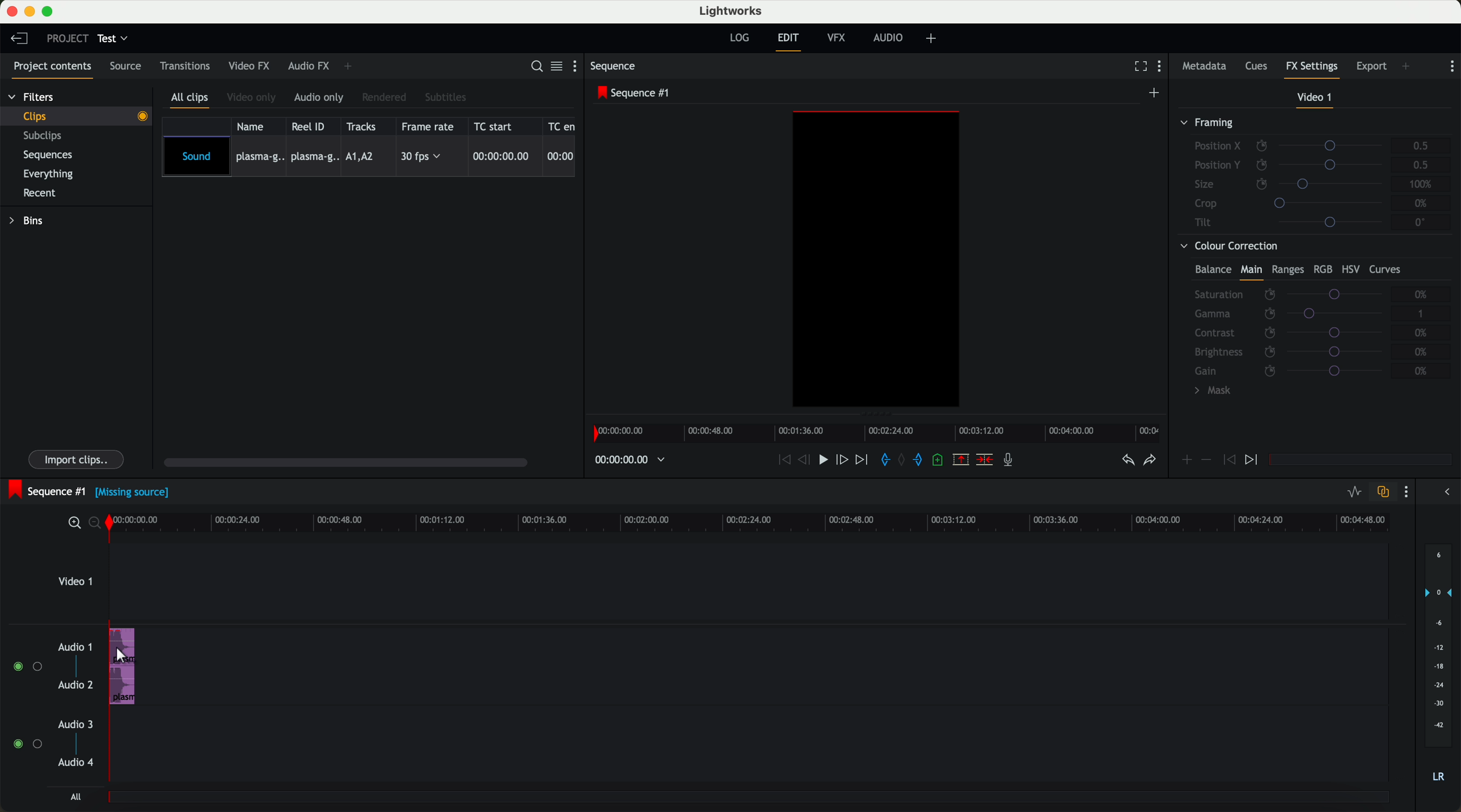 This screenshot has width=1461, height=812. Describe the element at coordinates (38, 192) in the screenshot. I see `recent` at that location.